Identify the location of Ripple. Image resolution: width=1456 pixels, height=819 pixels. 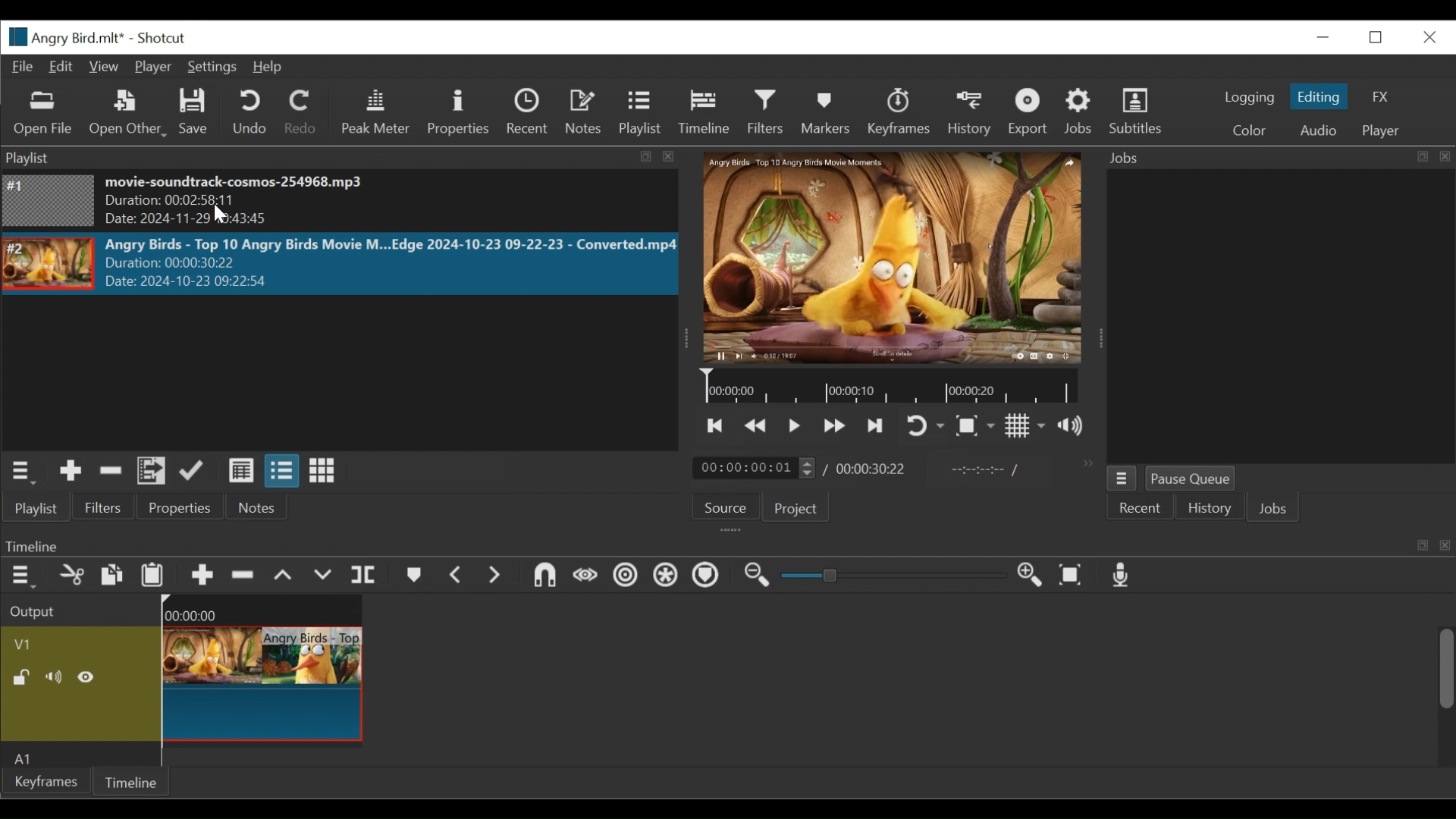
(625, 578).